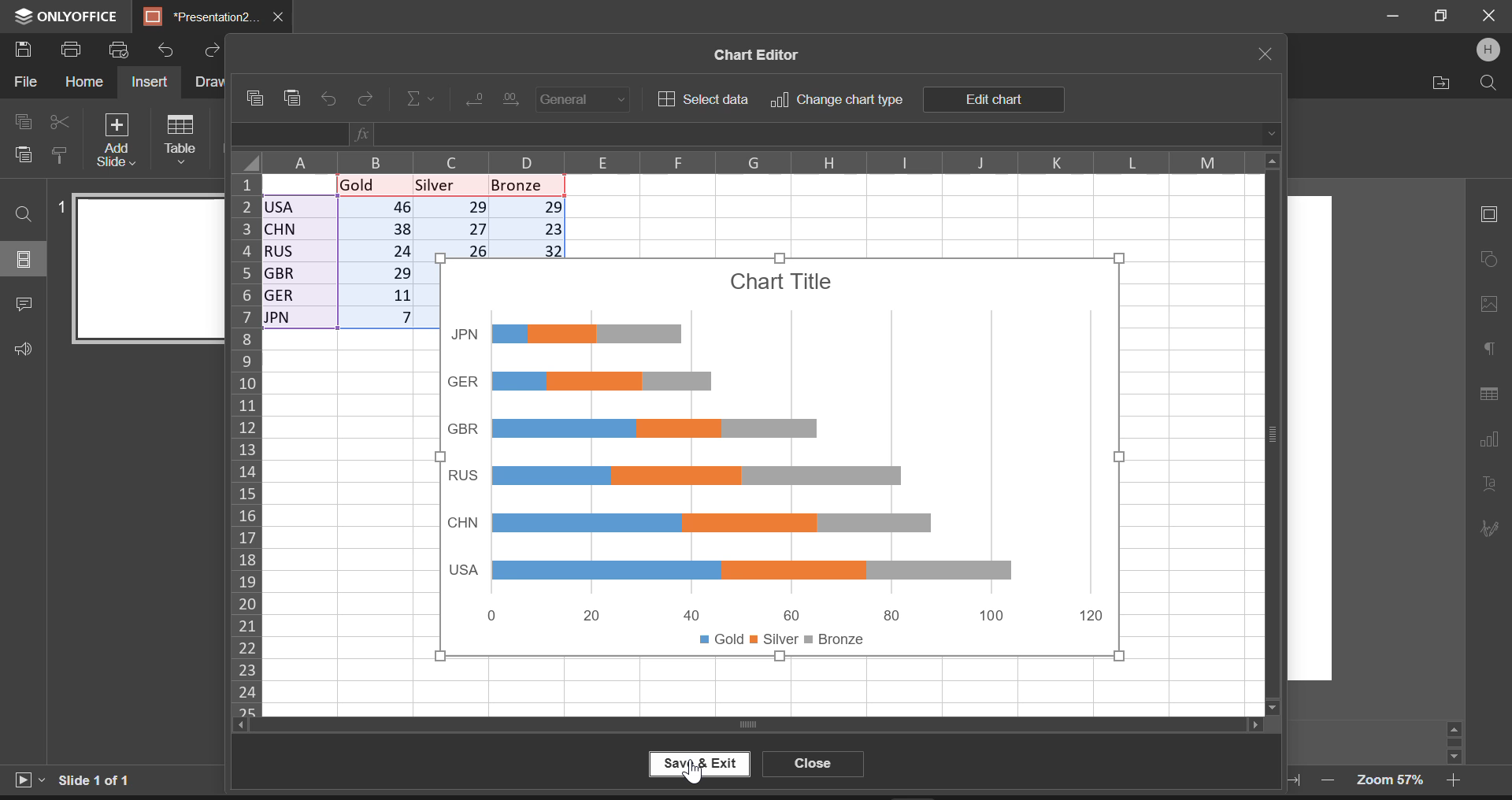 The height and width of the screenshot is (800, 1512). What do you see at coordinates (24, 213) in the screenshot?
I see `Find` at bounding box center [24, 213].